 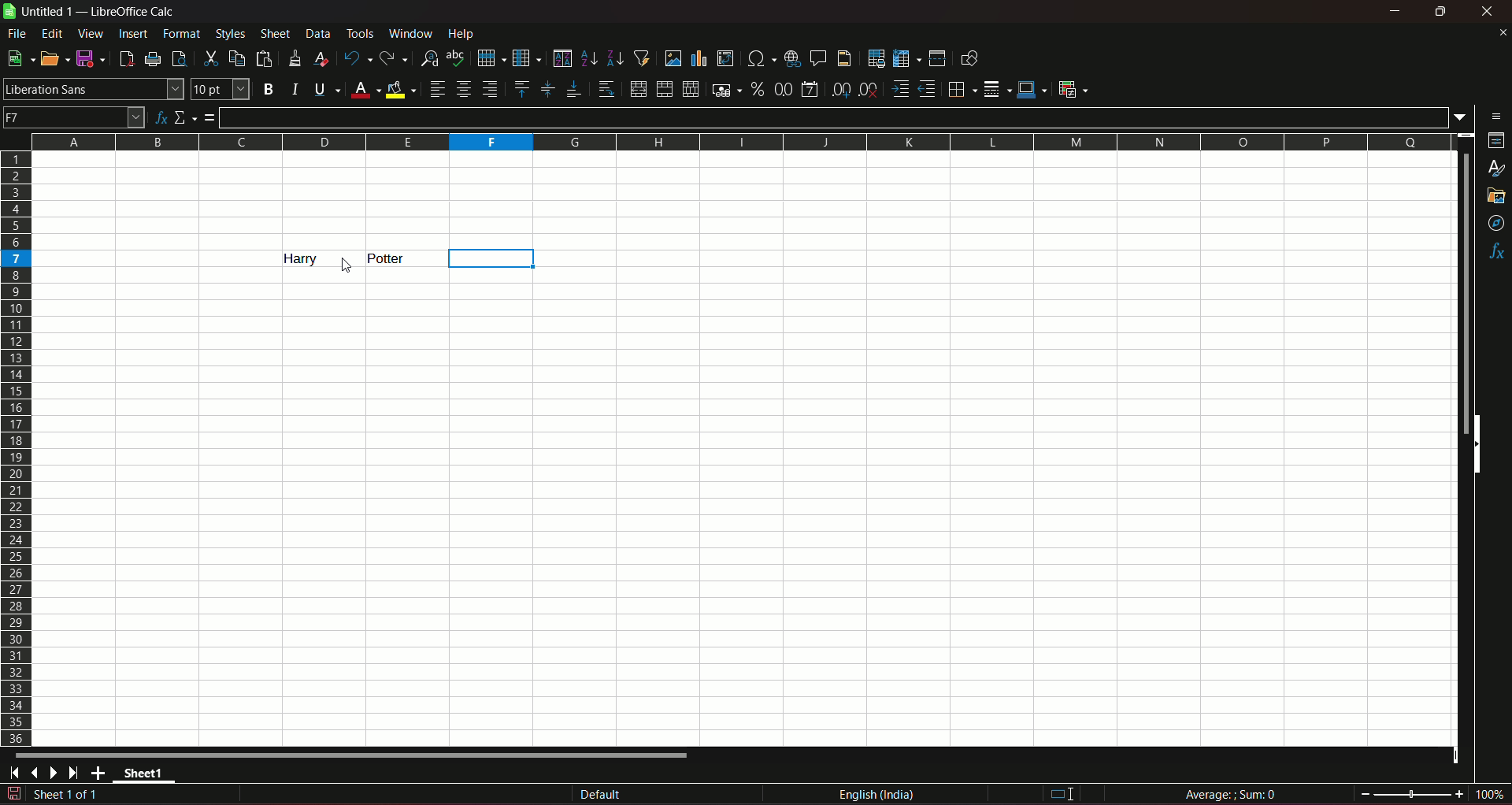 I want to click on merge and center, so click(x=637, y=89).